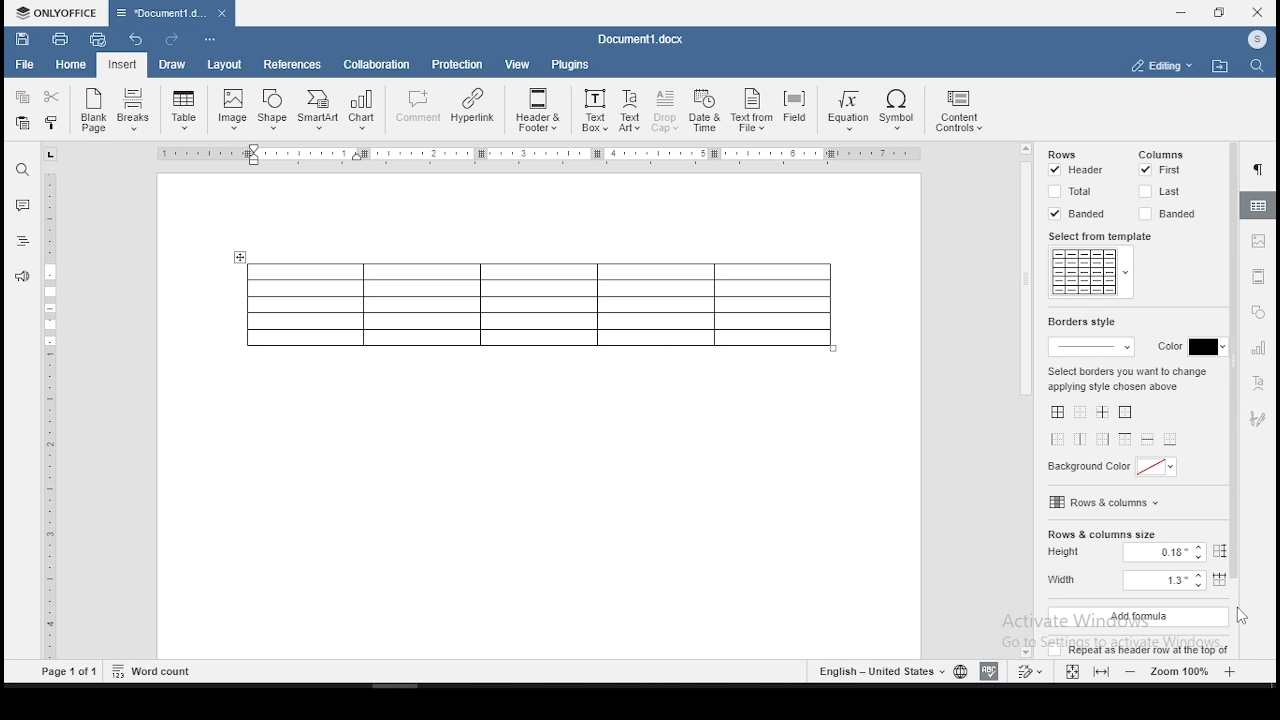 This screenshot has height=720, width=1280. What do you see at coordinates (1171, 439) in the screenshot?
I see `only bottom border` at bounding box center [1171, 439].